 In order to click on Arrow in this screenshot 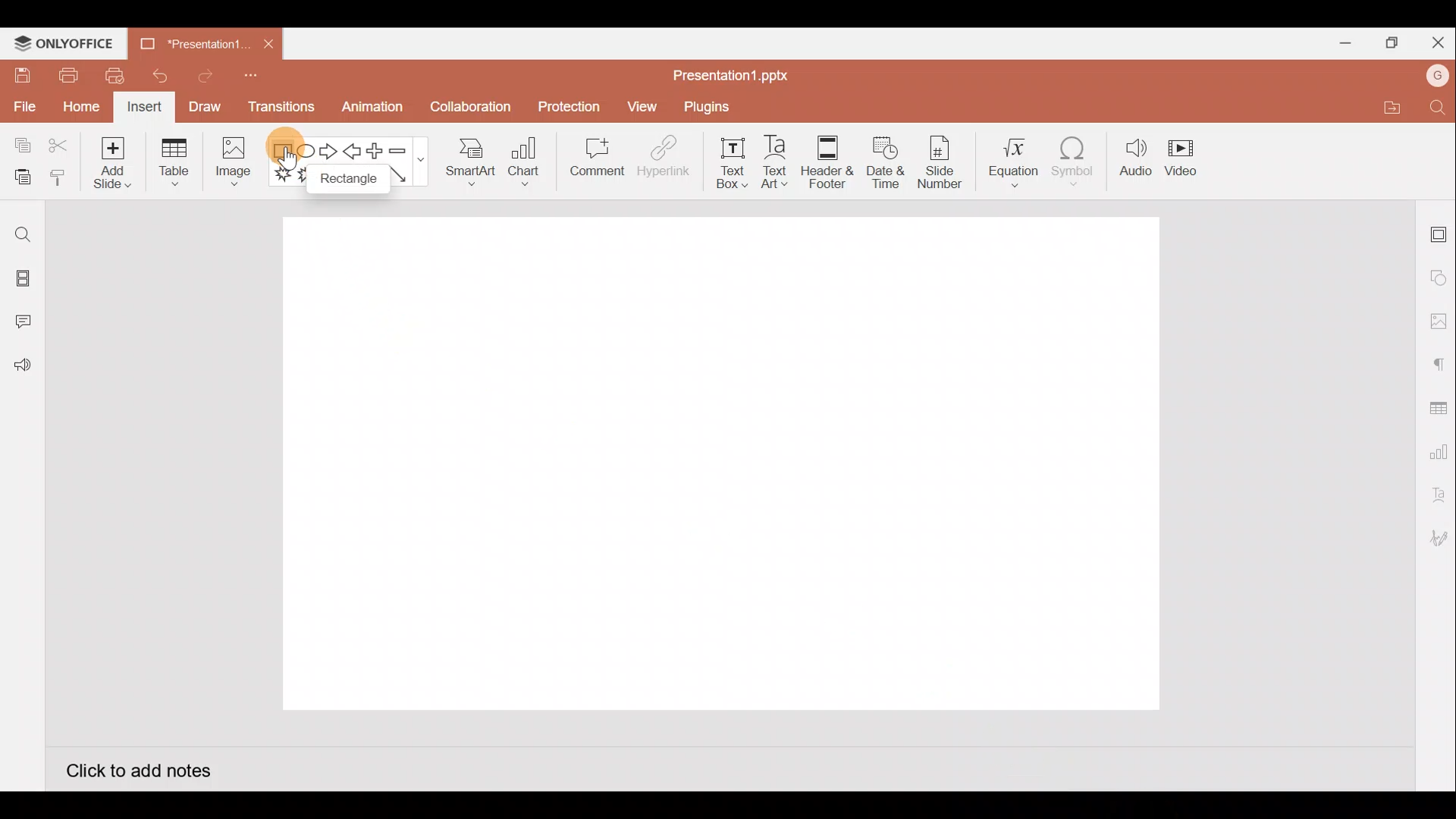, I will do `click(409, 174)`.